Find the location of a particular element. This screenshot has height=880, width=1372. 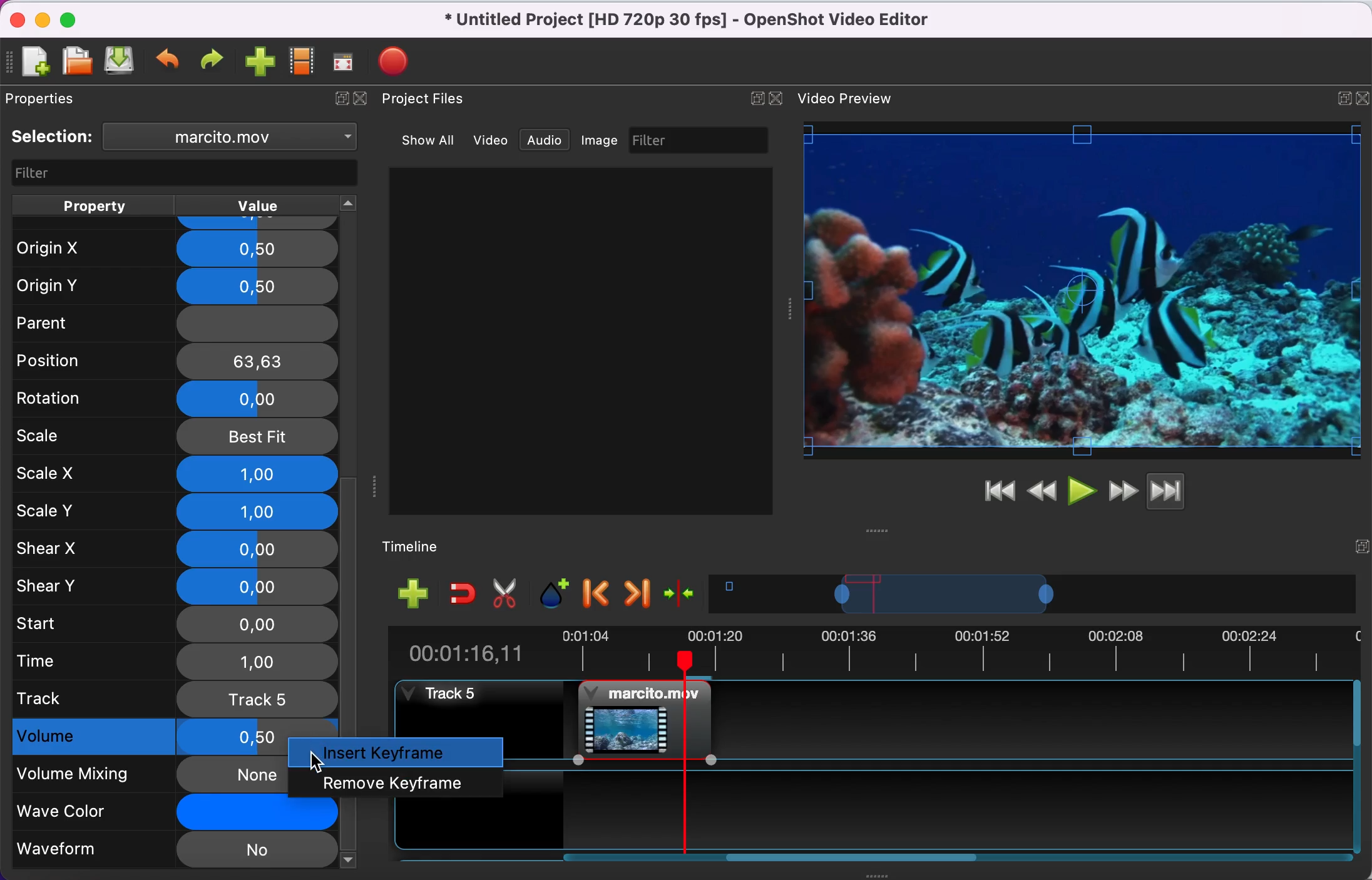

expand/hide is located at coordinates (754, 98).